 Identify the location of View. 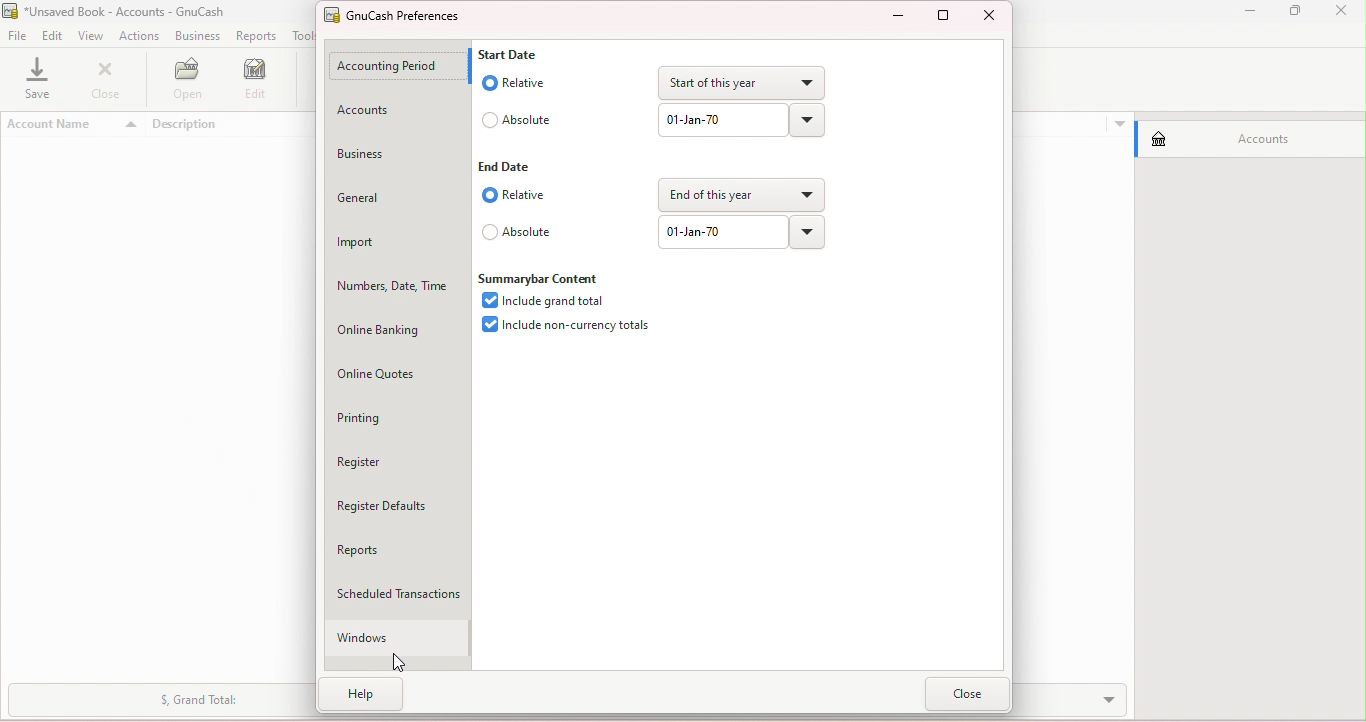
(91, 37).